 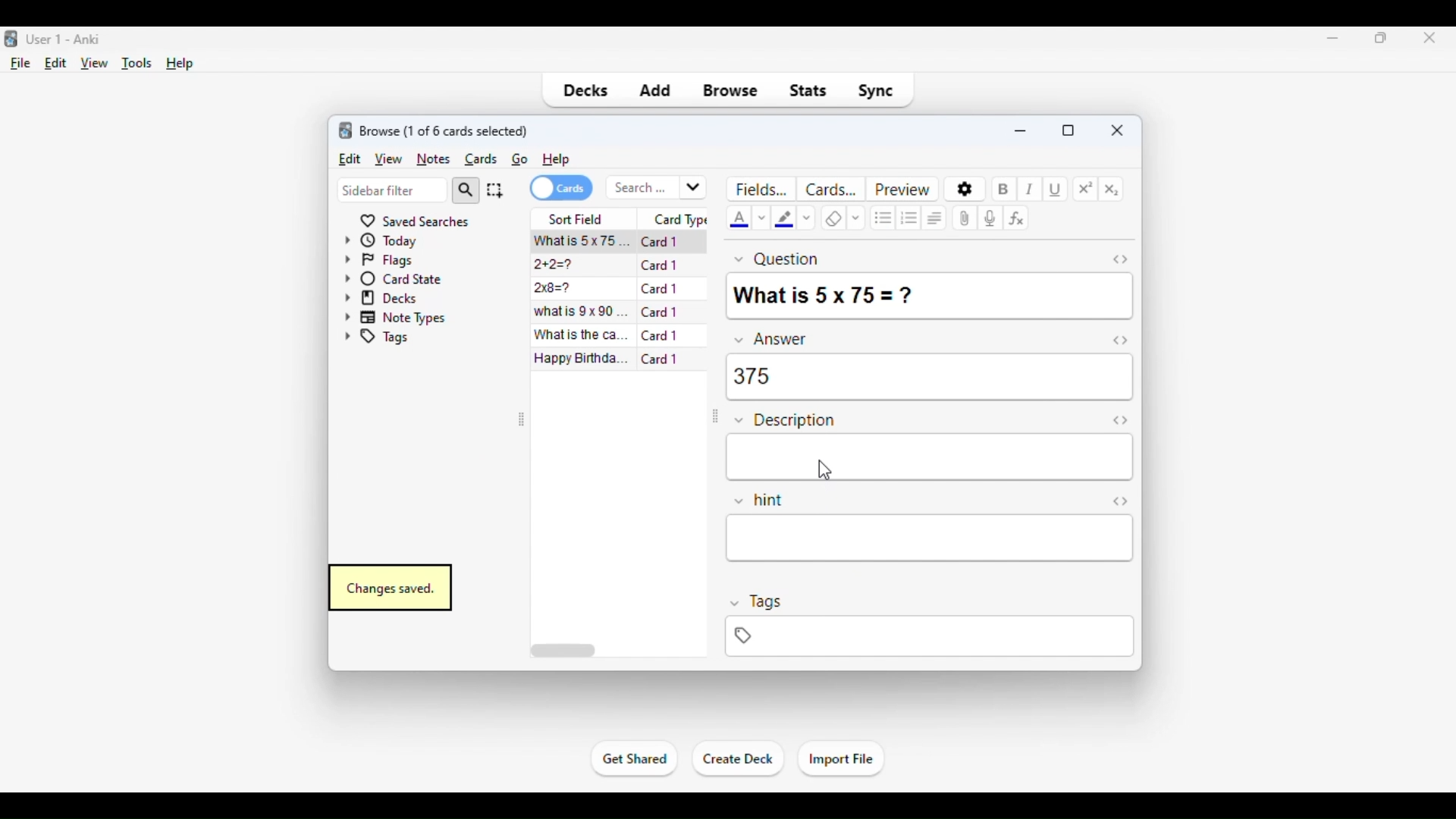 What do you see at coordinates (759, 500) in the screenshot?
I see `hint field` at bounding box center [759, 500].